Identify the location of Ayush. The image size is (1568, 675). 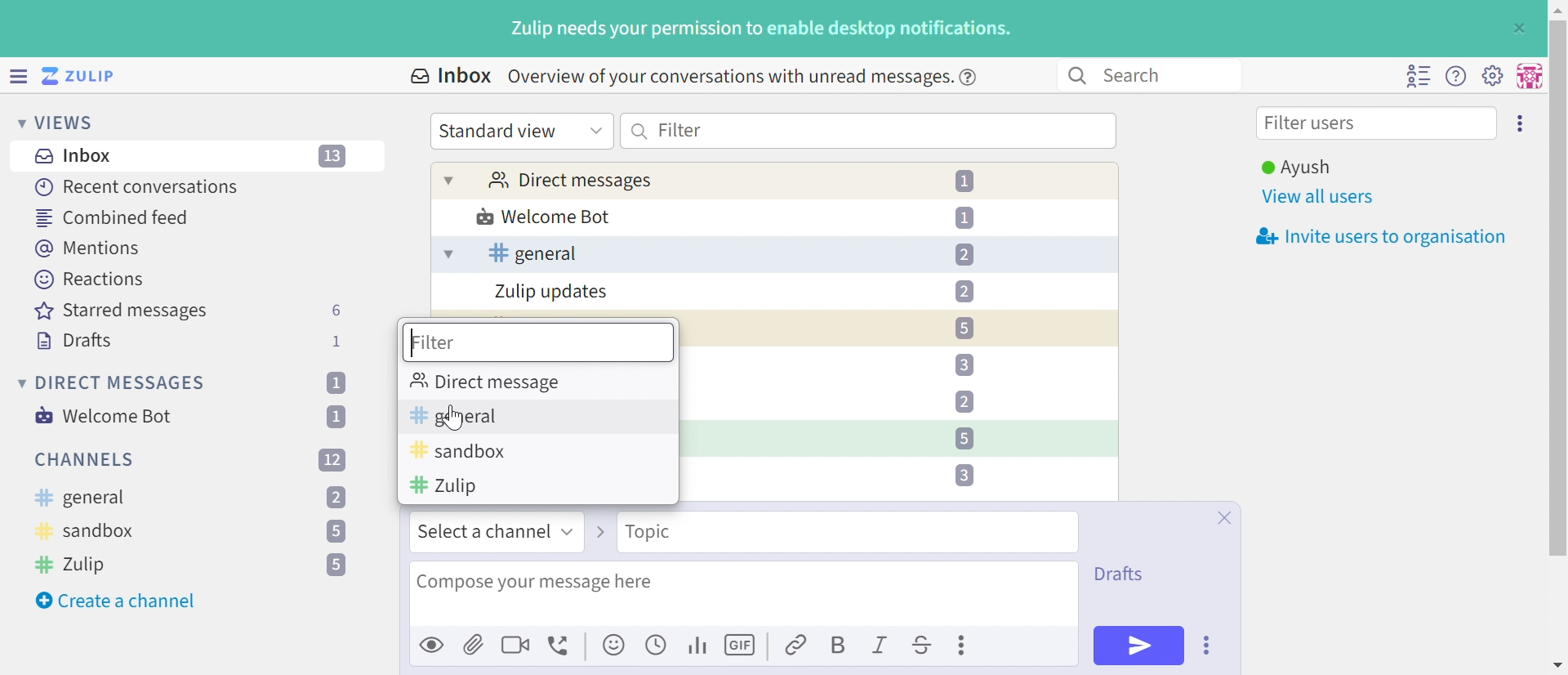
(1294, 168).